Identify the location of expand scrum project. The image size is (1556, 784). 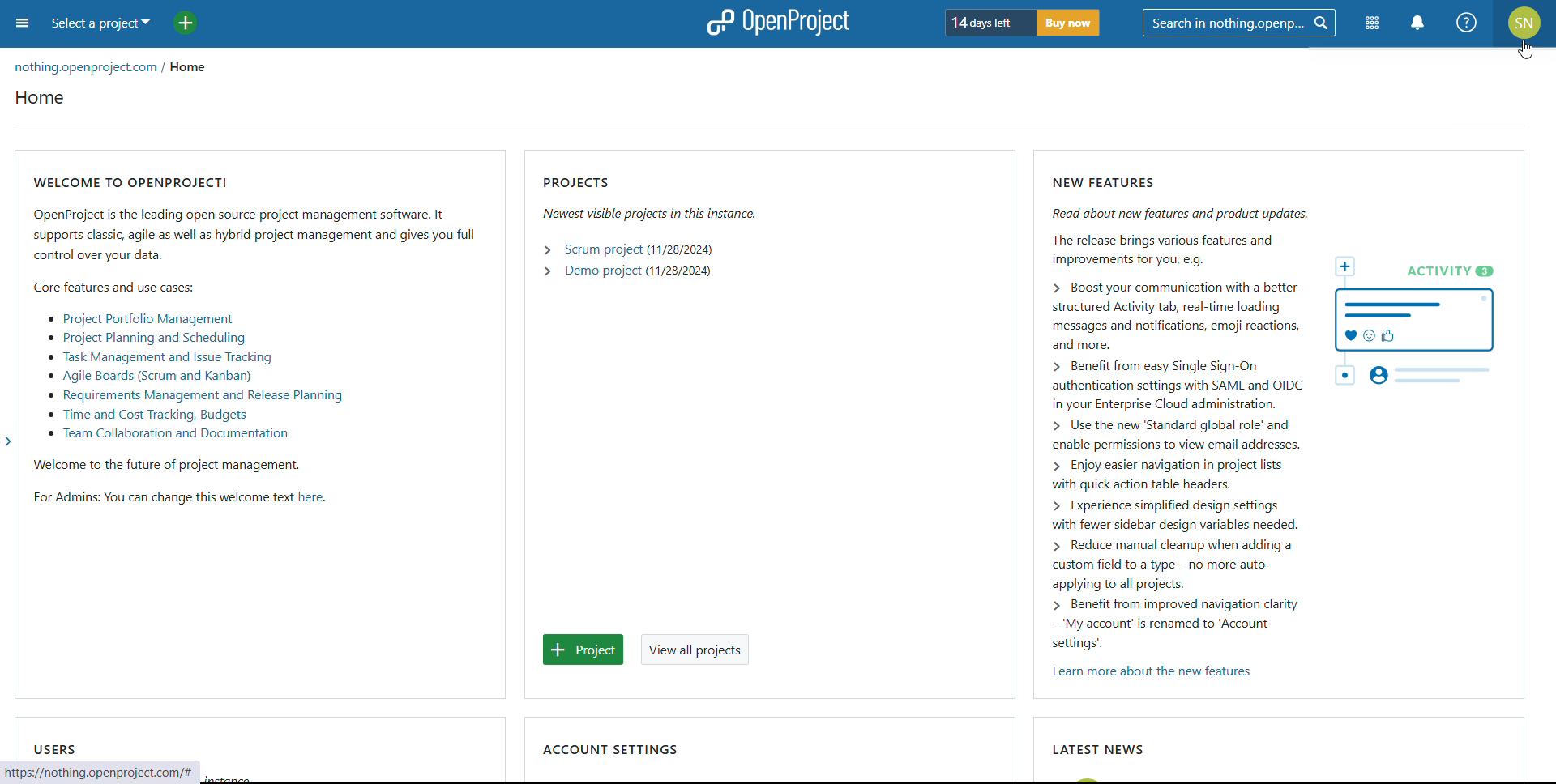
(546, 249).